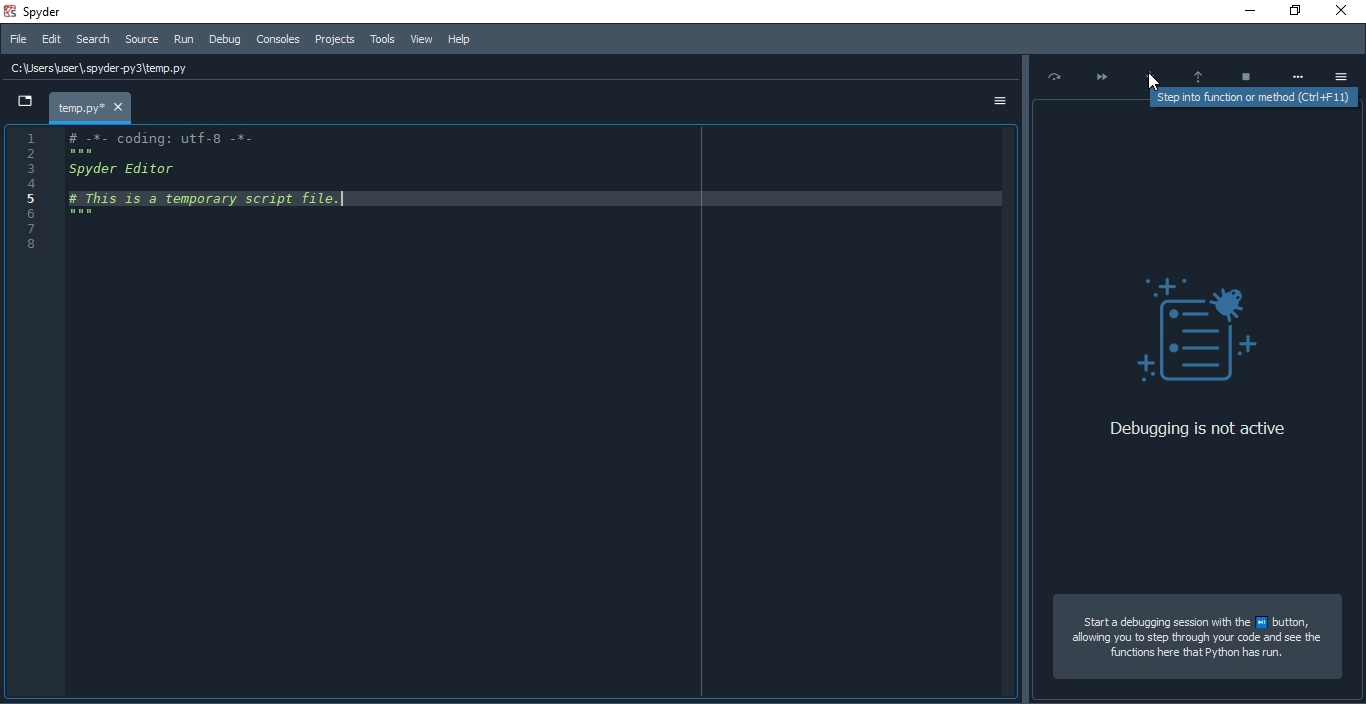  I want to click on minimise, so click(1247, 11).